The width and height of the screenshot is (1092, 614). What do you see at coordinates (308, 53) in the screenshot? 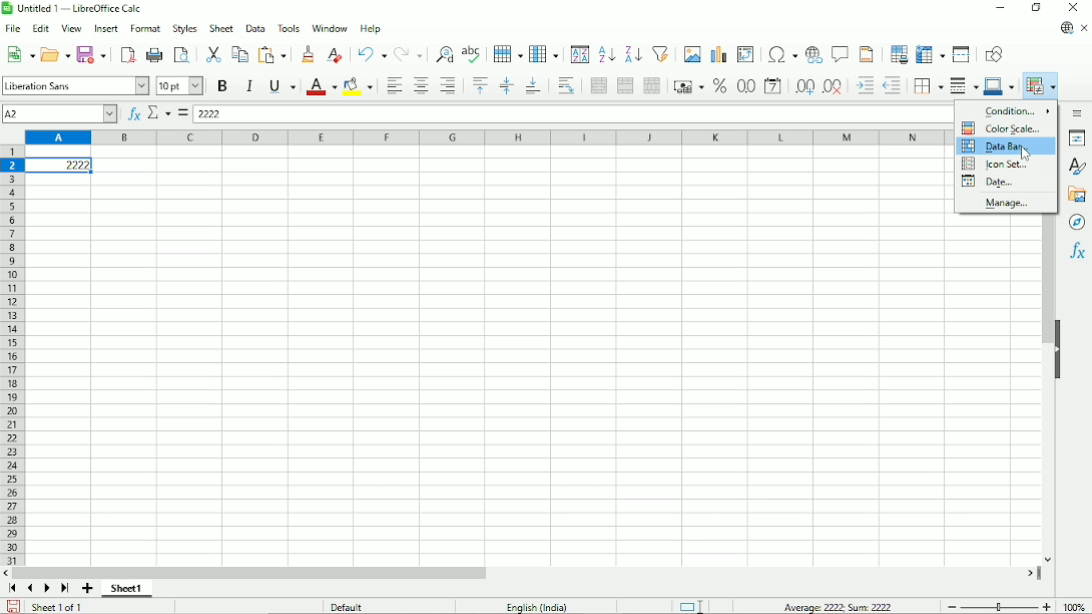
I see `Clone formatting` at bounding box center [308, 53].